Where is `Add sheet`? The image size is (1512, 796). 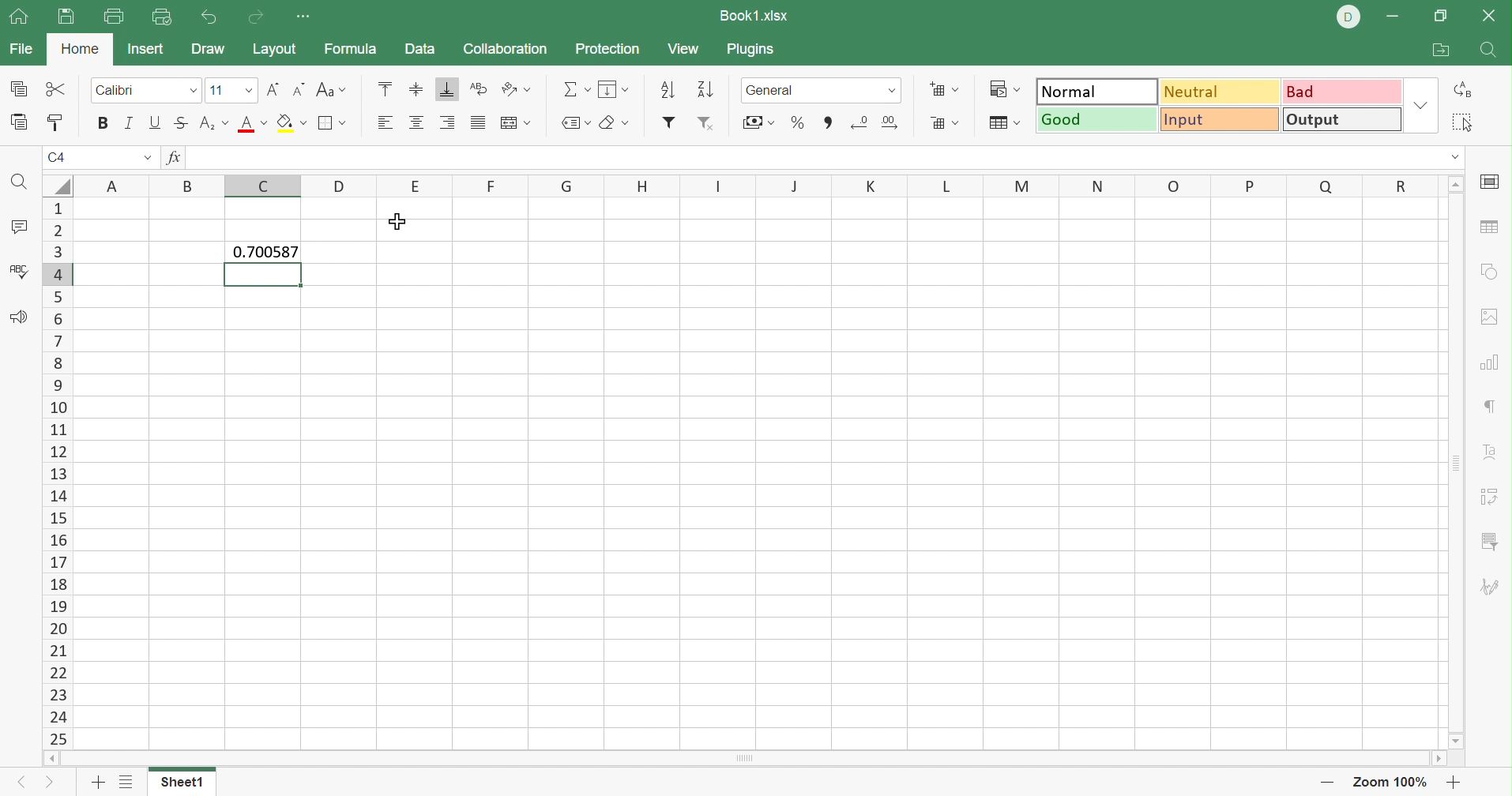
Add sheet is located at coordinates (100, 782).